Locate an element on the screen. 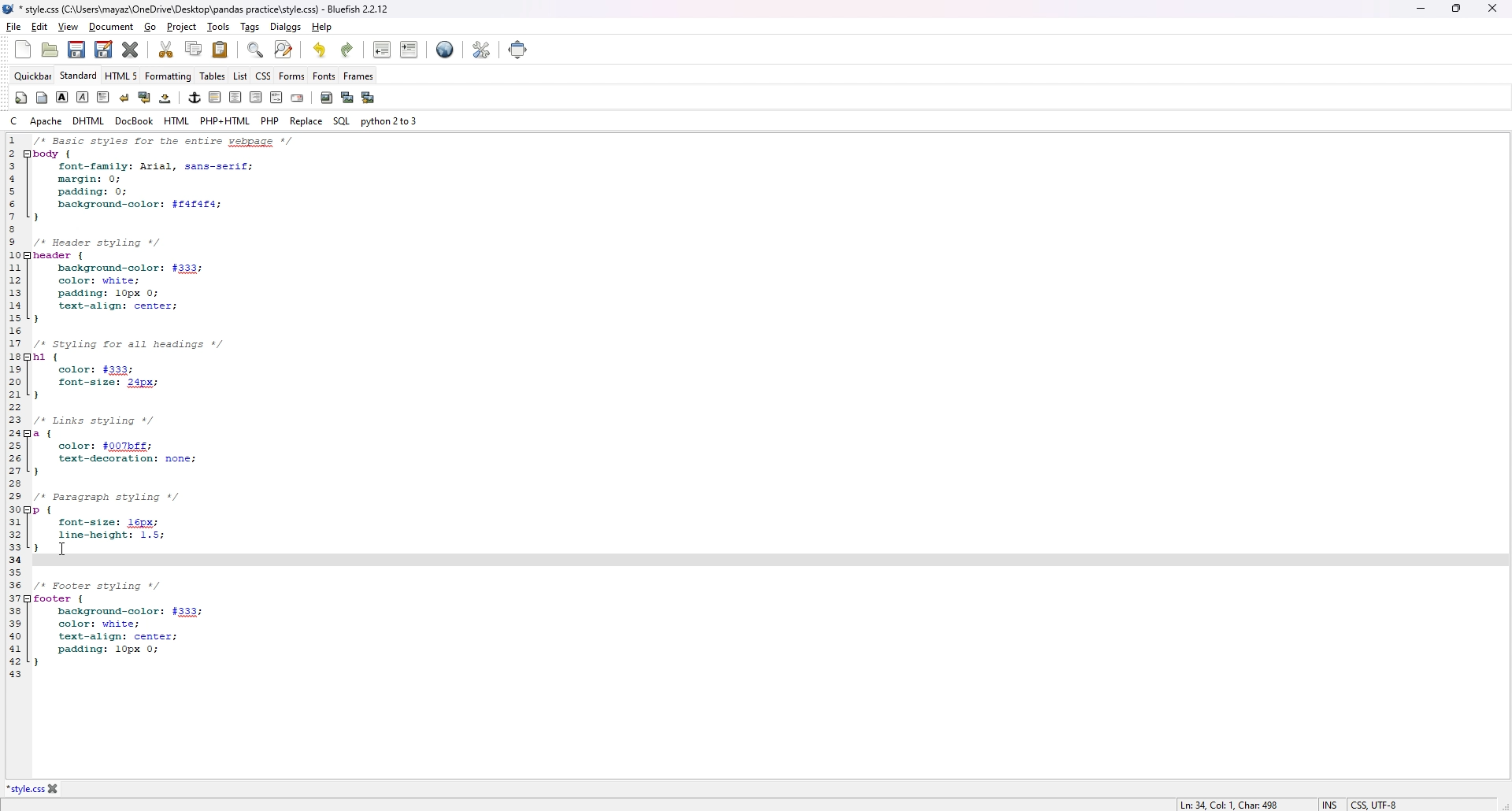 This screenshot has width=1512, height=811. *style.css is located at coordinates (25, 788).